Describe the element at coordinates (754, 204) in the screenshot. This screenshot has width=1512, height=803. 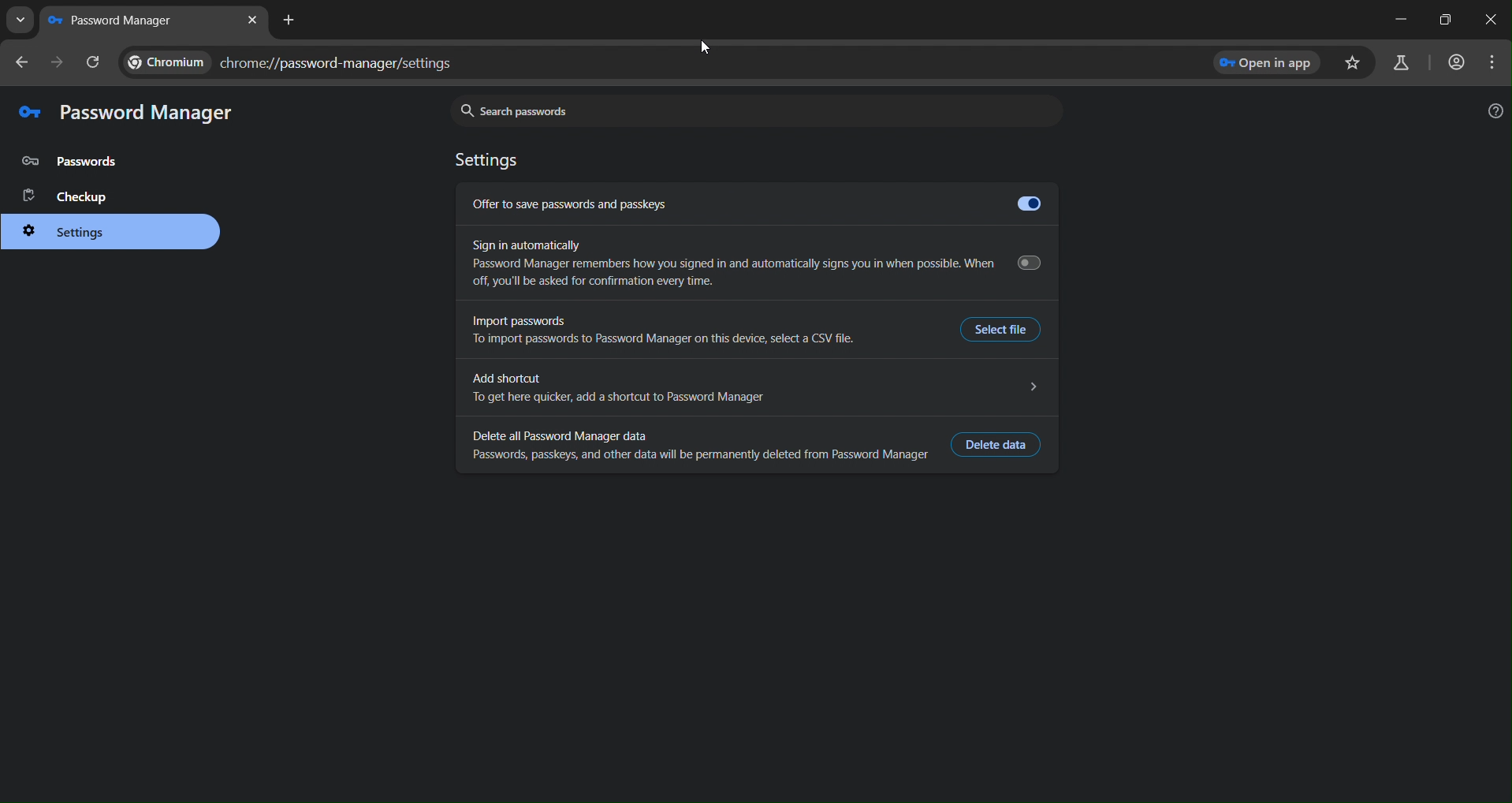
I see `offer to save passwords and passkeys` at that location.